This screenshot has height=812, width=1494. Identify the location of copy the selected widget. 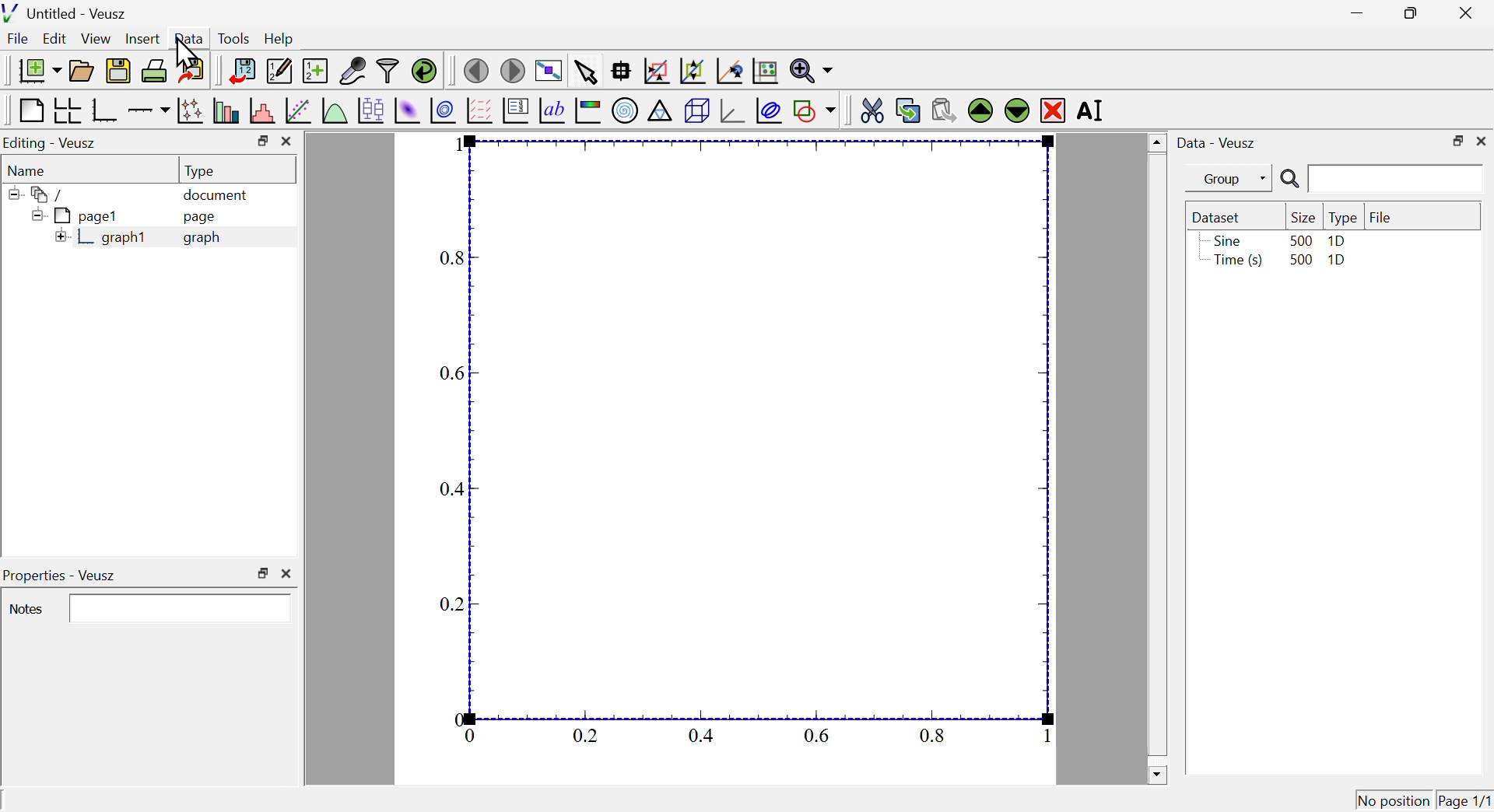
(908, 109).